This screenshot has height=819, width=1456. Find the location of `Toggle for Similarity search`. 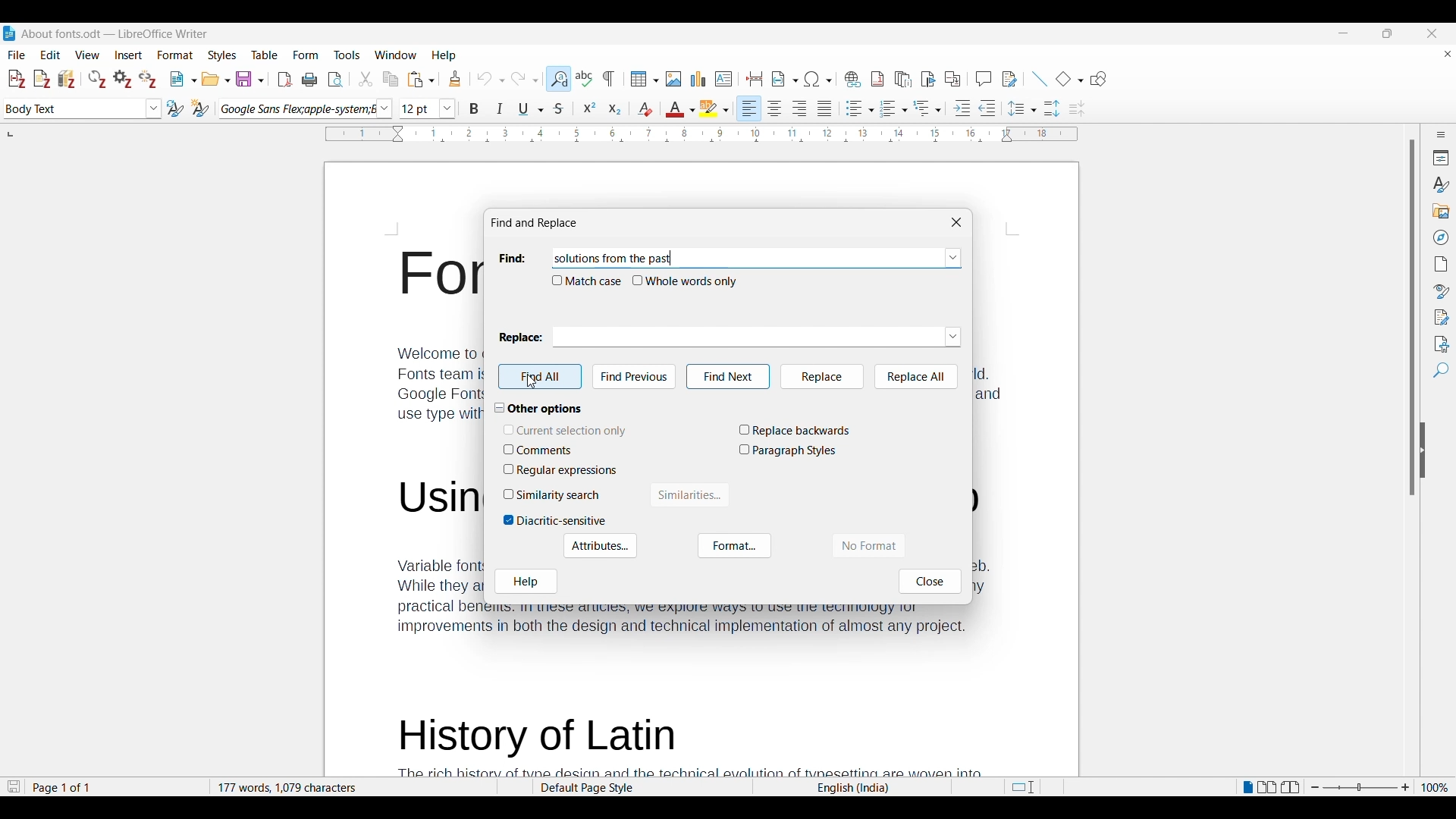

Toggle for Similarity search is located at coordinates (554, 495).